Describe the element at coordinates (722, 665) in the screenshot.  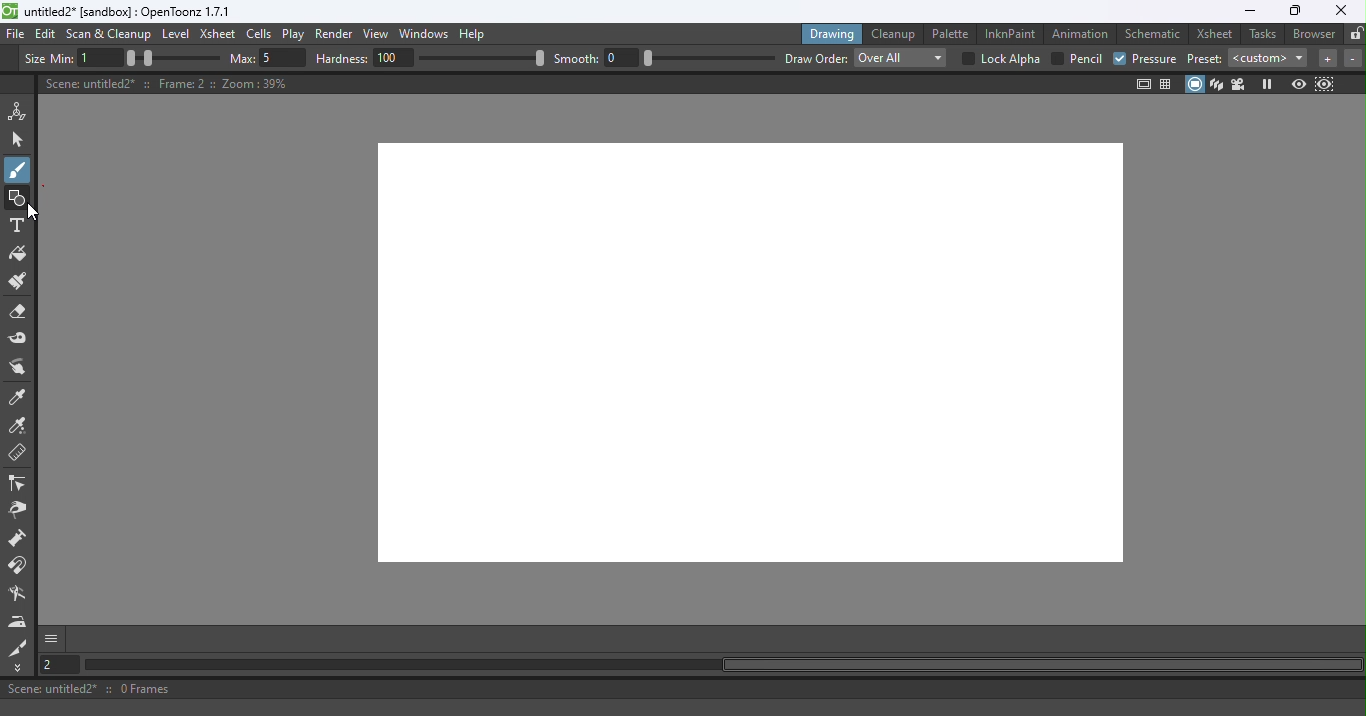
I see `Horizontal scroll bar` at that location.